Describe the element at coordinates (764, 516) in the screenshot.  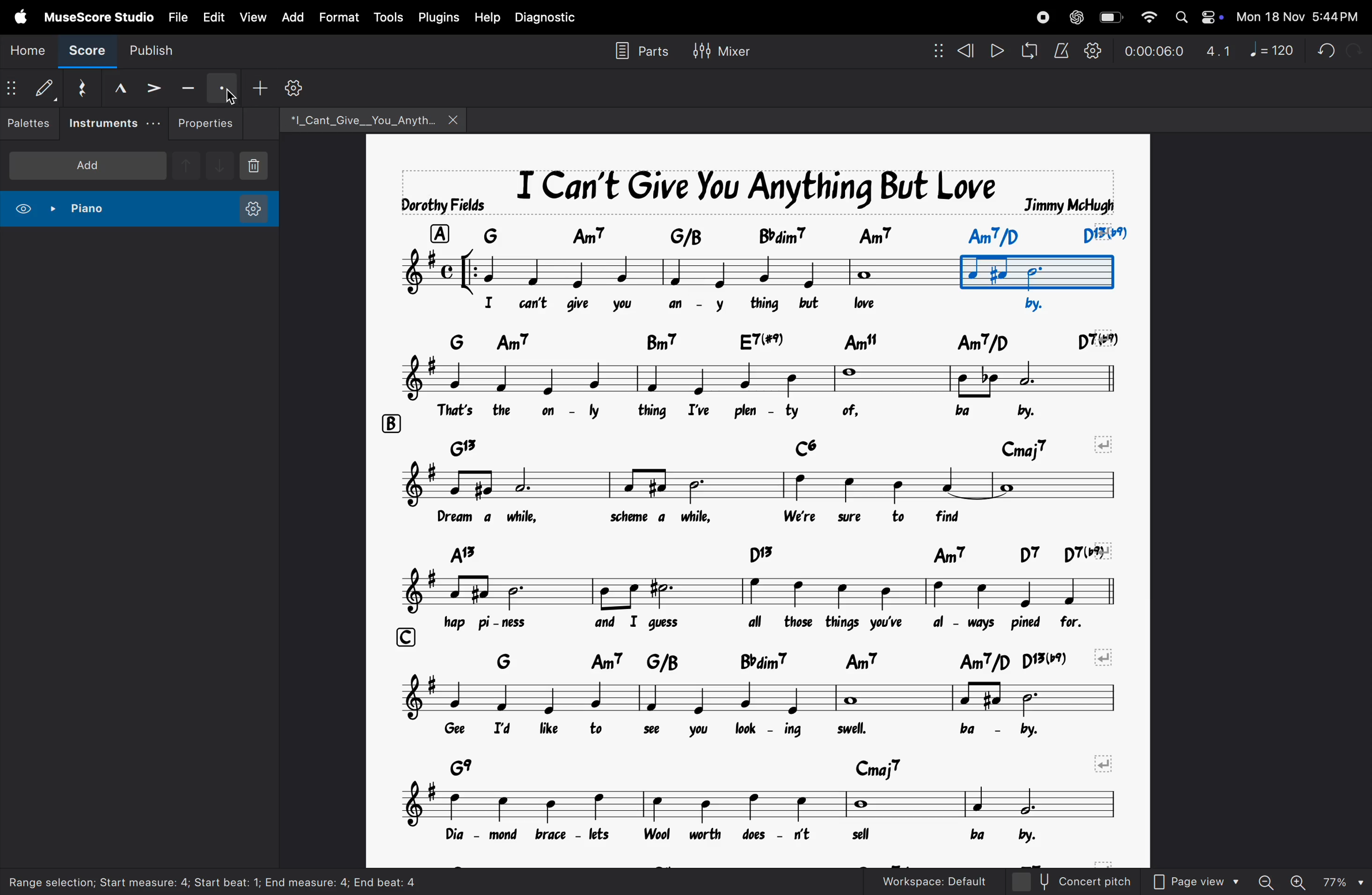
I see `notes` at that location.